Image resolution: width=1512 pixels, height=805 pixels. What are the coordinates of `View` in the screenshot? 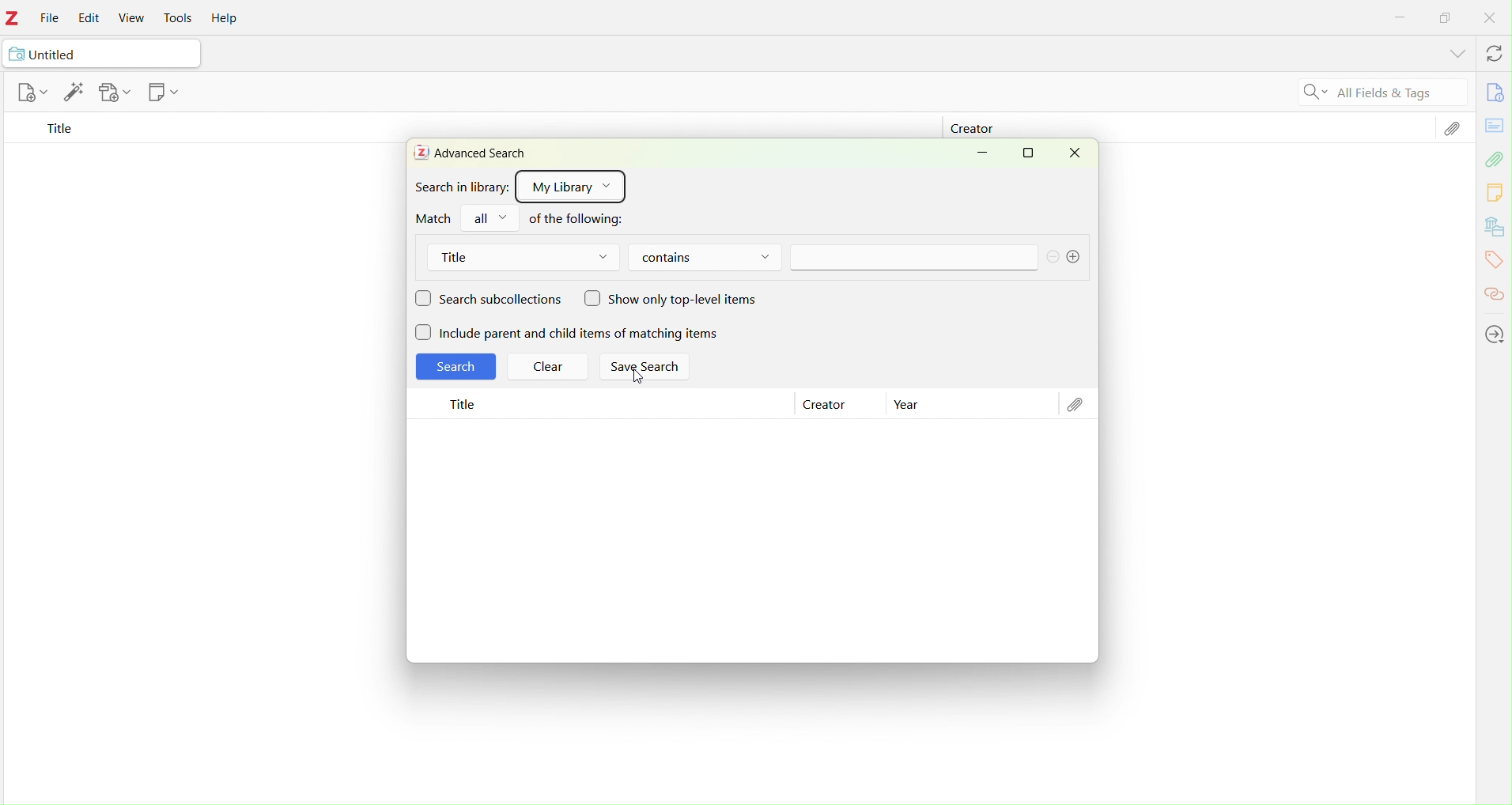 It's located at (129, 18).